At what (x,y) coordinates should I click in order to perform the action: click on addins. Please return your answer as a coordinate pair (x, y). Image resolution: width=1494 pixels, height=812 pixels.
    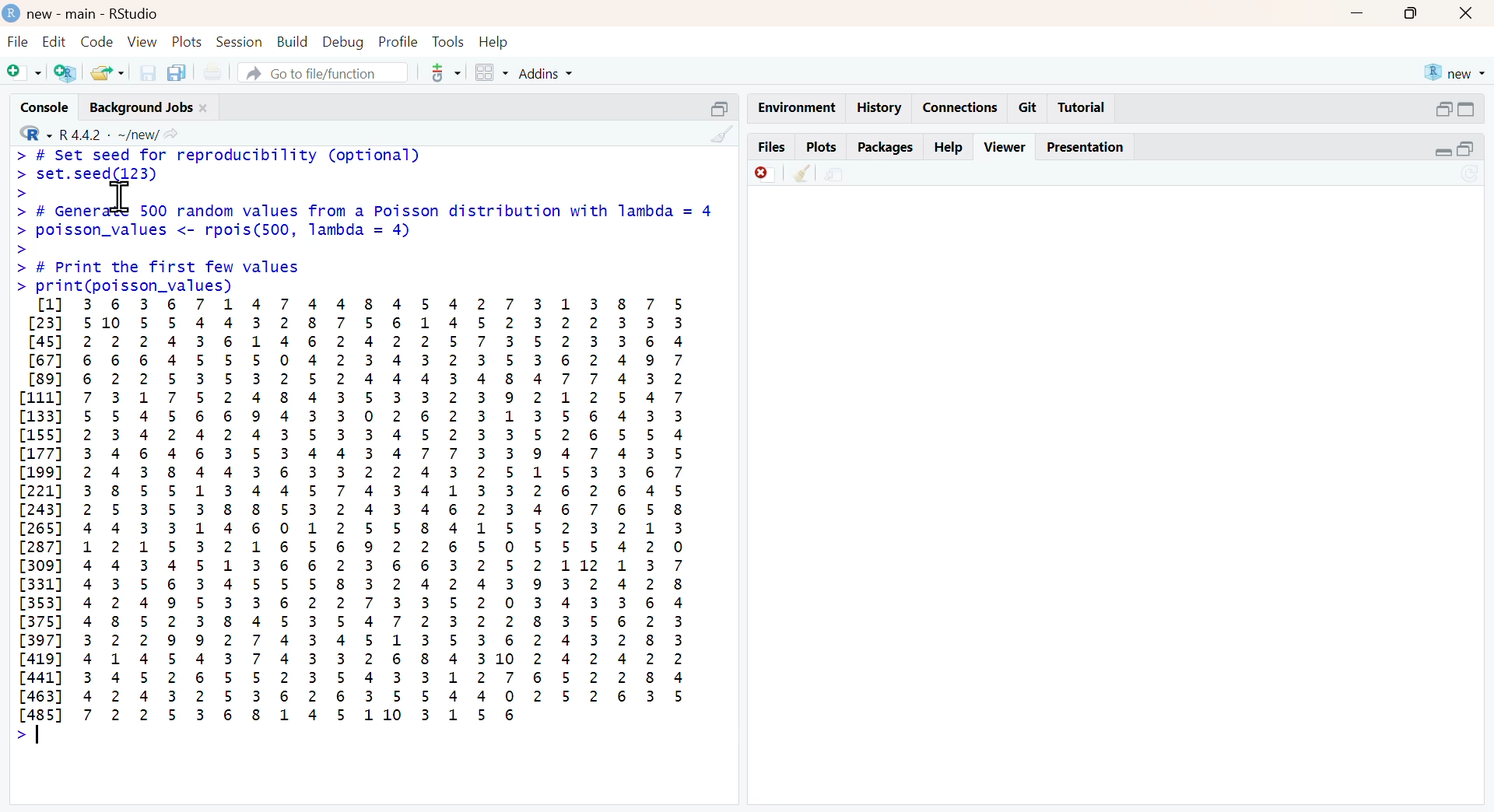
    Looking at the image, I should click on (545, 75).